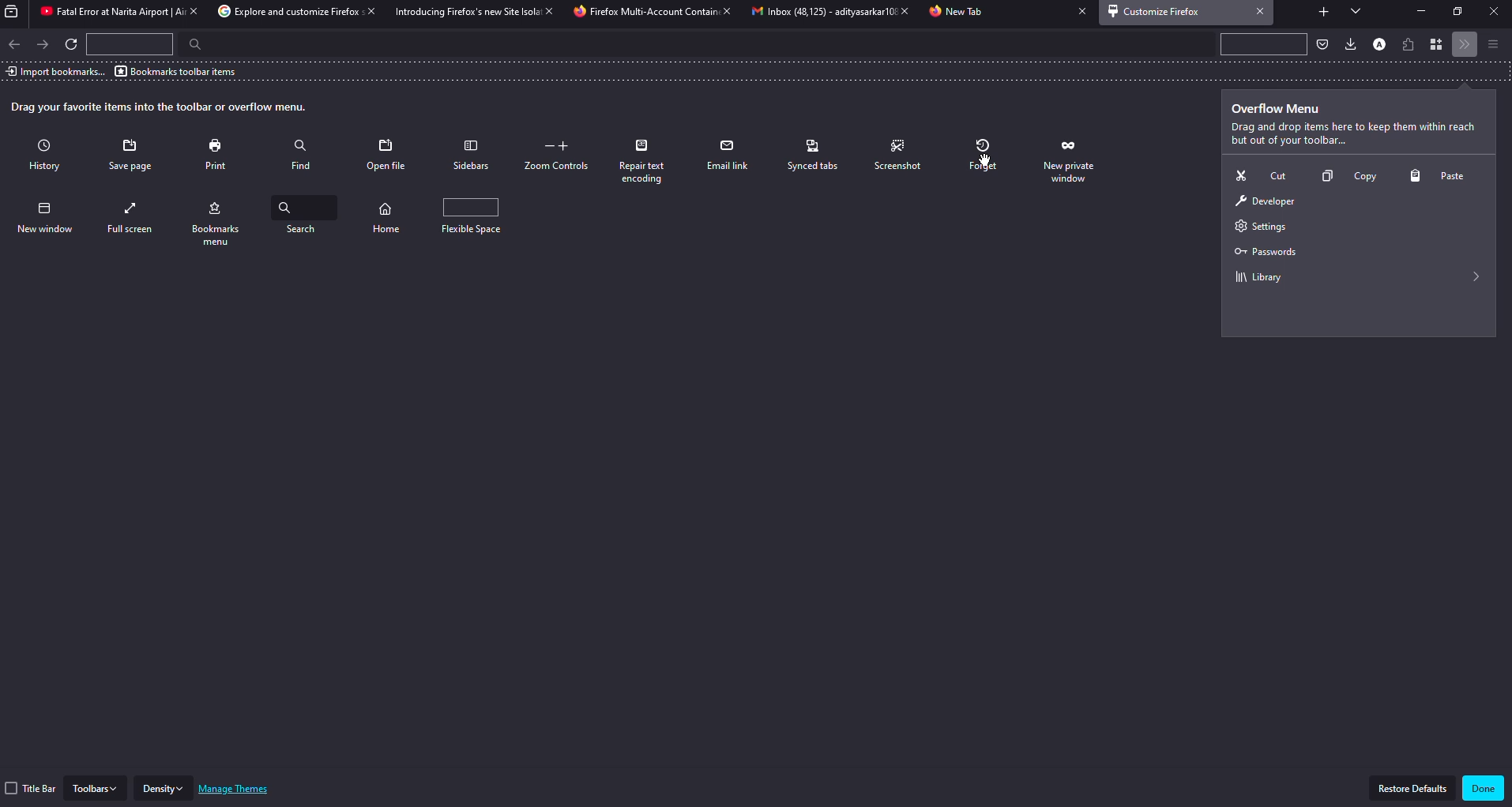 The image size is (1512, 807). Describe the element at coordinates (104, 13) in the screenshot. I see `tab` at that location.